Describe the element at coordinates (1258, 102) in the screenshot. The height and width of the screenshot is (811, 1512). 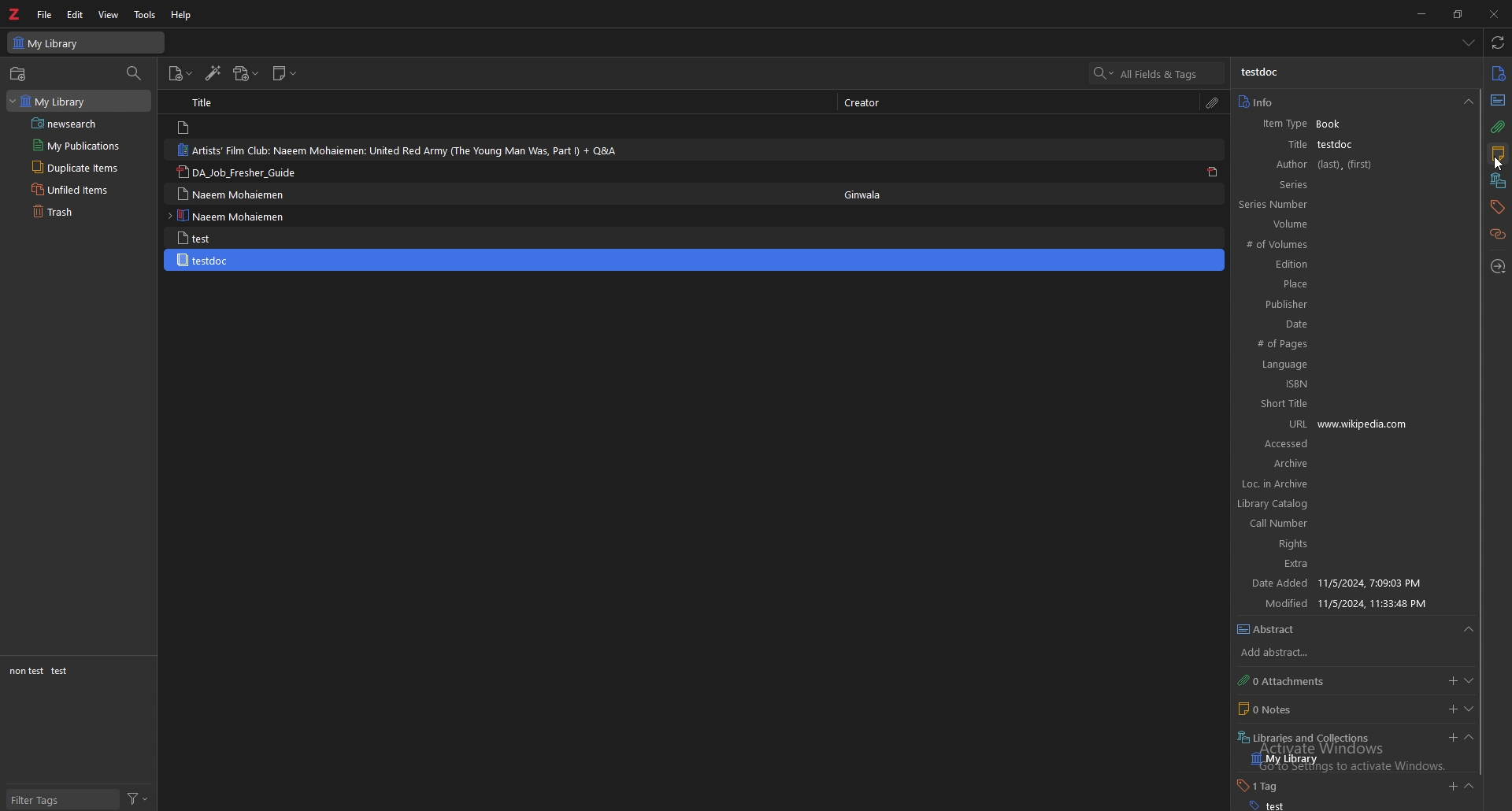
I see `info` at that location.